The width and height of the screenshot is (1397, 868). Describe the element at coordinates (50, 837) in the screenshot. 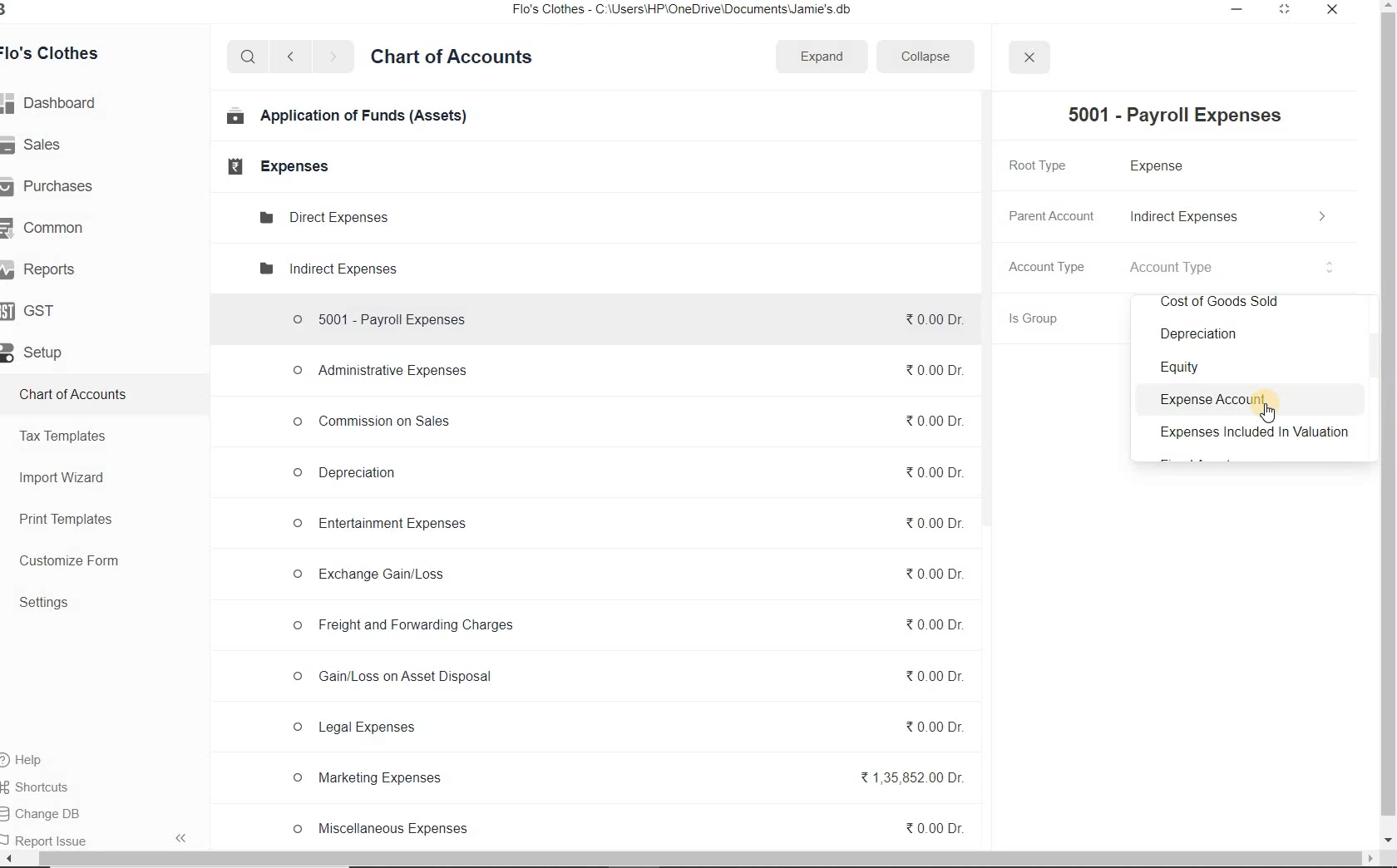

I see `Report Issue` at that location.